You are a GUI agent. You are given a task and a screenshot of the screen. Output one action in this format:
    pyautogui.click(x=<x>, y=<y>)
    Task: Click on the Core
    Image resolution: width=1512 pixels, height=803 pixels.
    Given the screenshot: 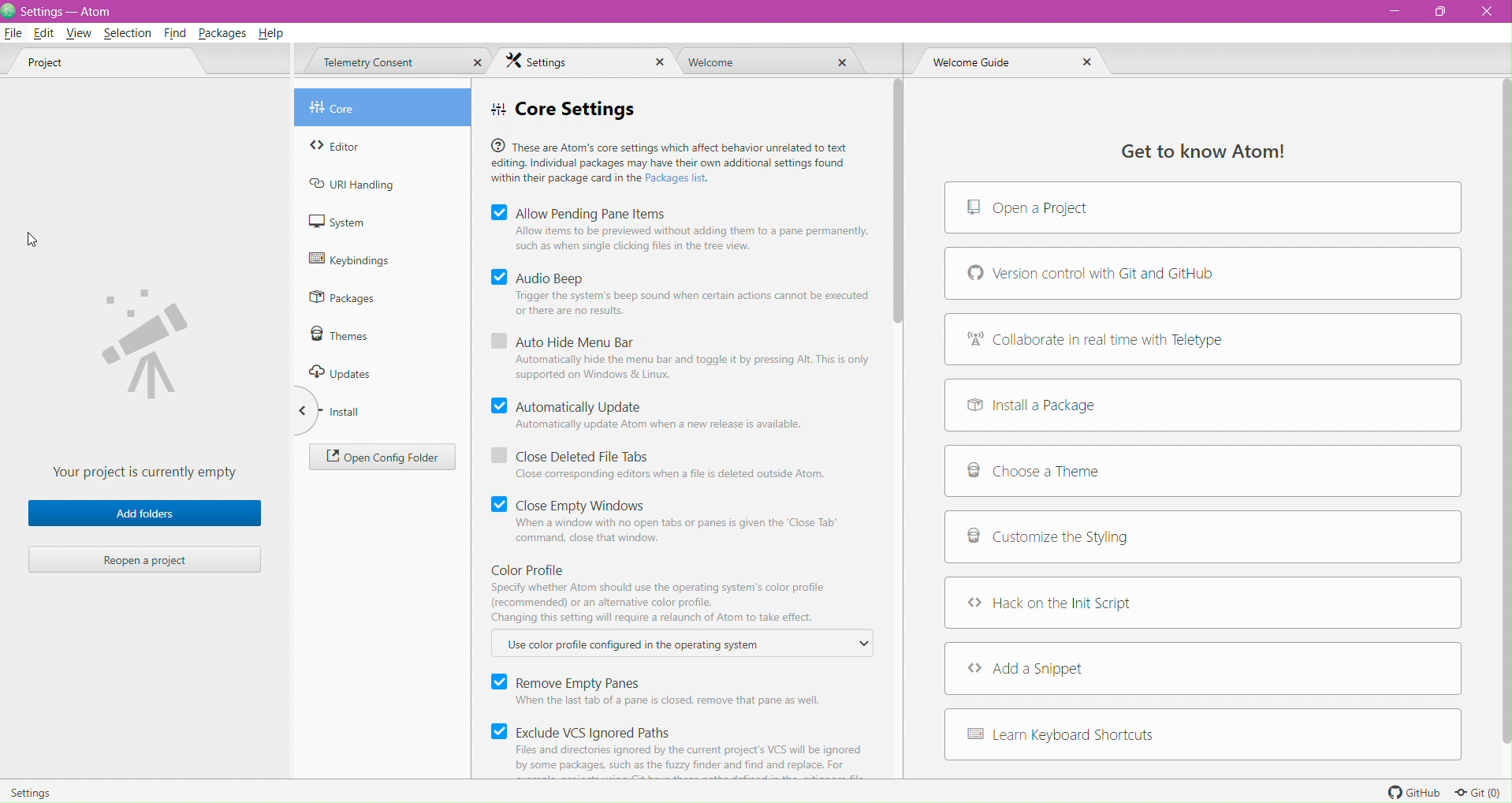 What is the action you would take?
    pyautogui.click(x=373, y=109)
    